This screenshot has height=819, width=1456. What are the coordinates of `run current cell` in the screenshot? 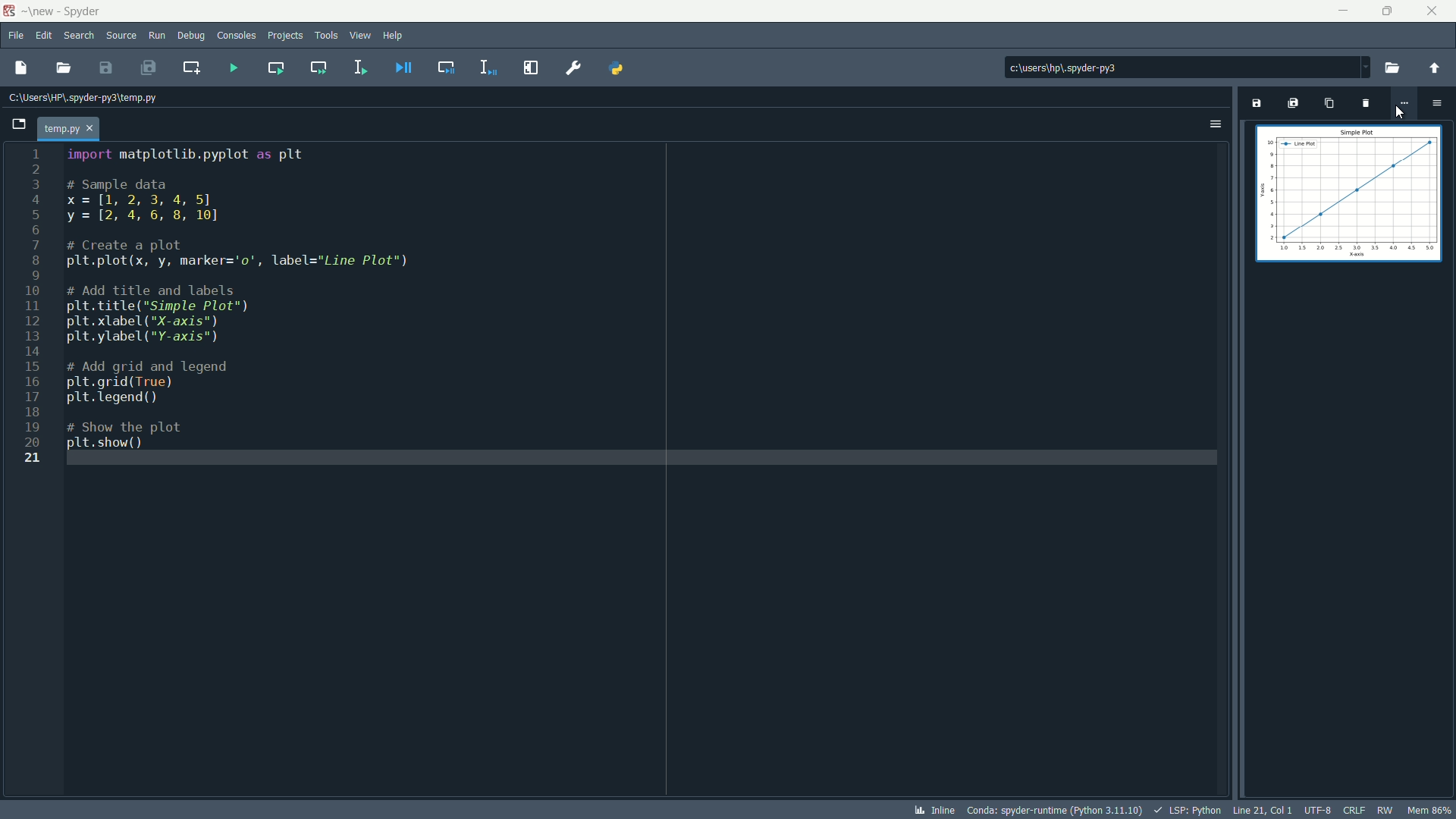 It's located at (271, 67).